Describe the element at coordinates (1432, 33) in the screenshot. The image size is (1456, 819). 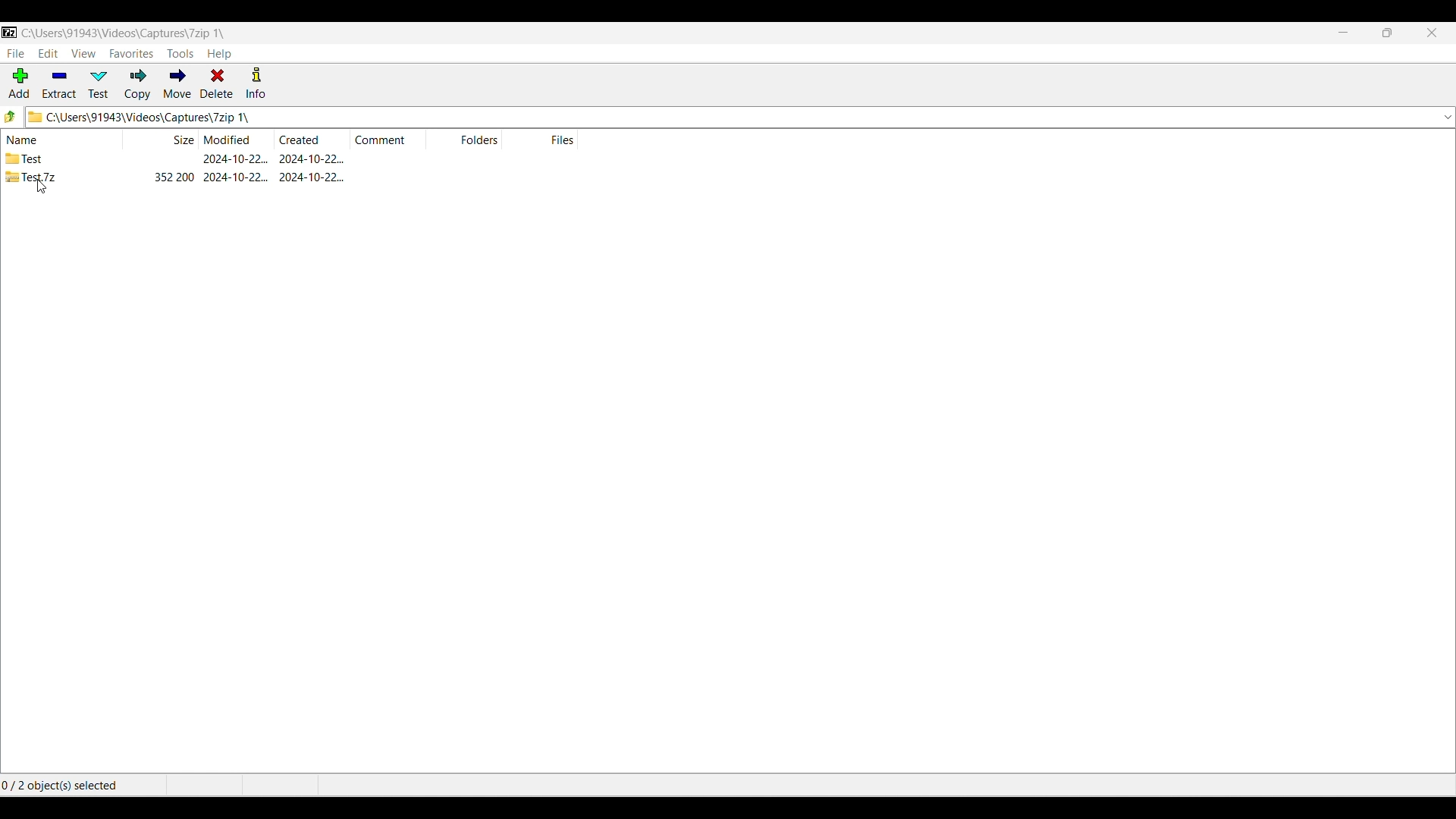
I see `Close interface` at that location.